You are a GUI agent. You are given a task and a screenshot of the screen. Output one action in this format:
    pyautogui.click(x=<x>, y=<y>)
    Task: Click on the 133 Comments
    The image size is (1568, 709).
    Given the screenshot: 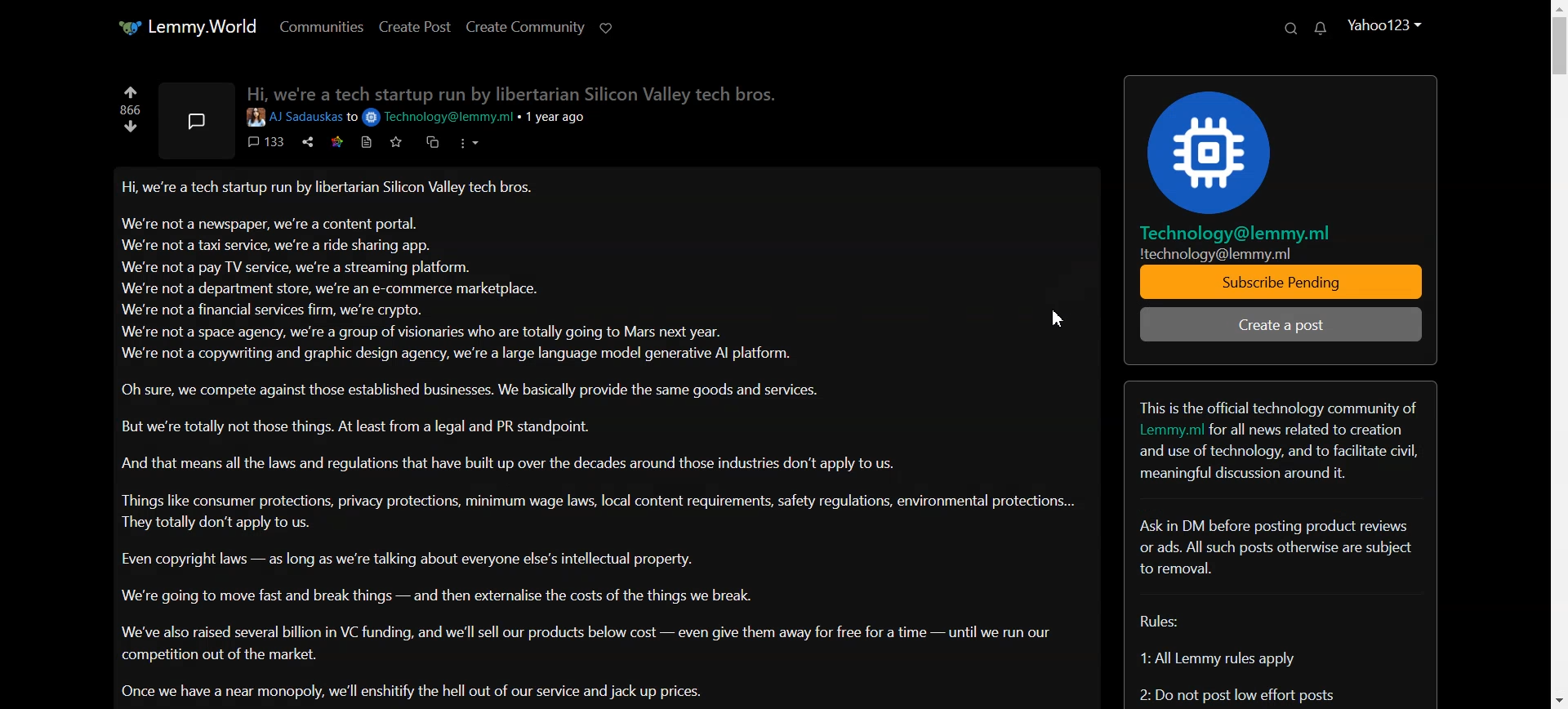 What is the action you would take?
    pyautogui.click(x=265, y=141)
    